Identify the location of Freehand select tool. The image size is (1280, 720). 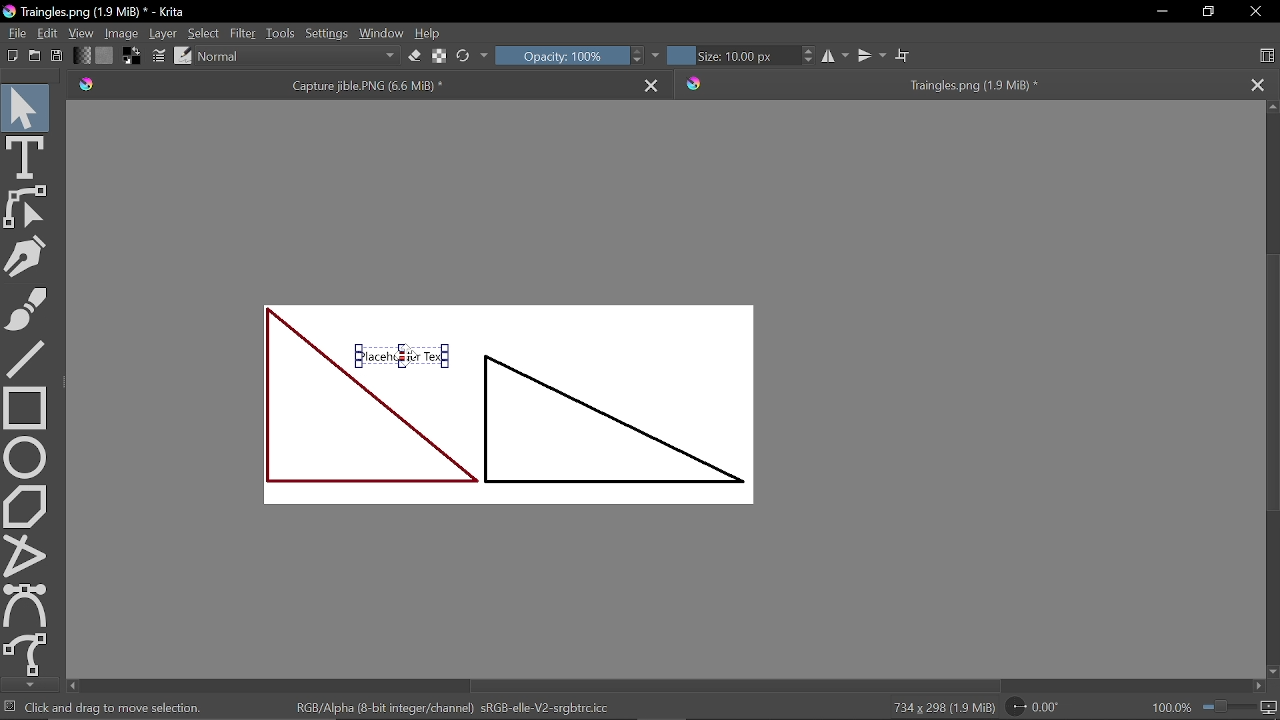
(27, 655).